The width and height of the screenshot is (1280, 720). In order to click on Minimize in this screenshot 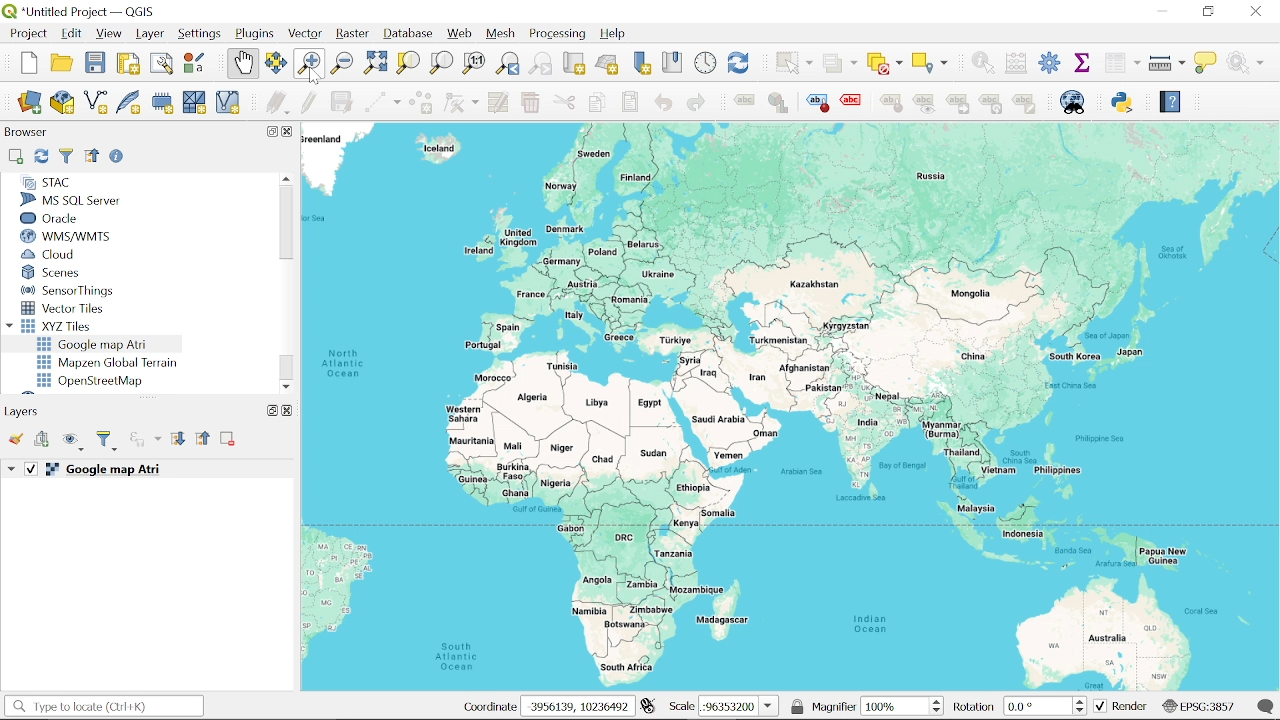, I will do `click(1159, 10)`.